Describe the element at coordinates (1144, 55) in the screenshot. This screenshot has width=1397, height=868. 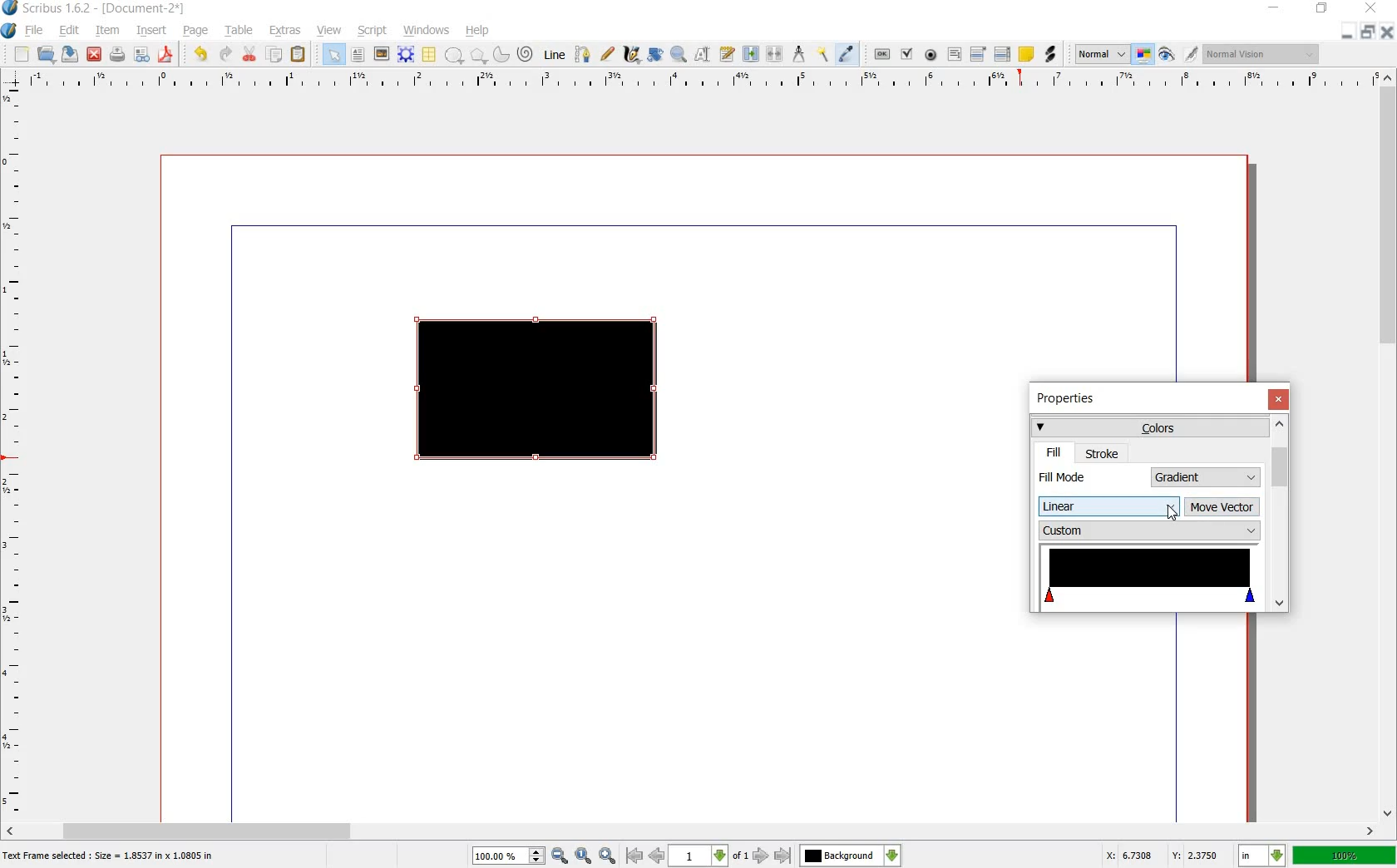
I see `toggle color management system` at that location.